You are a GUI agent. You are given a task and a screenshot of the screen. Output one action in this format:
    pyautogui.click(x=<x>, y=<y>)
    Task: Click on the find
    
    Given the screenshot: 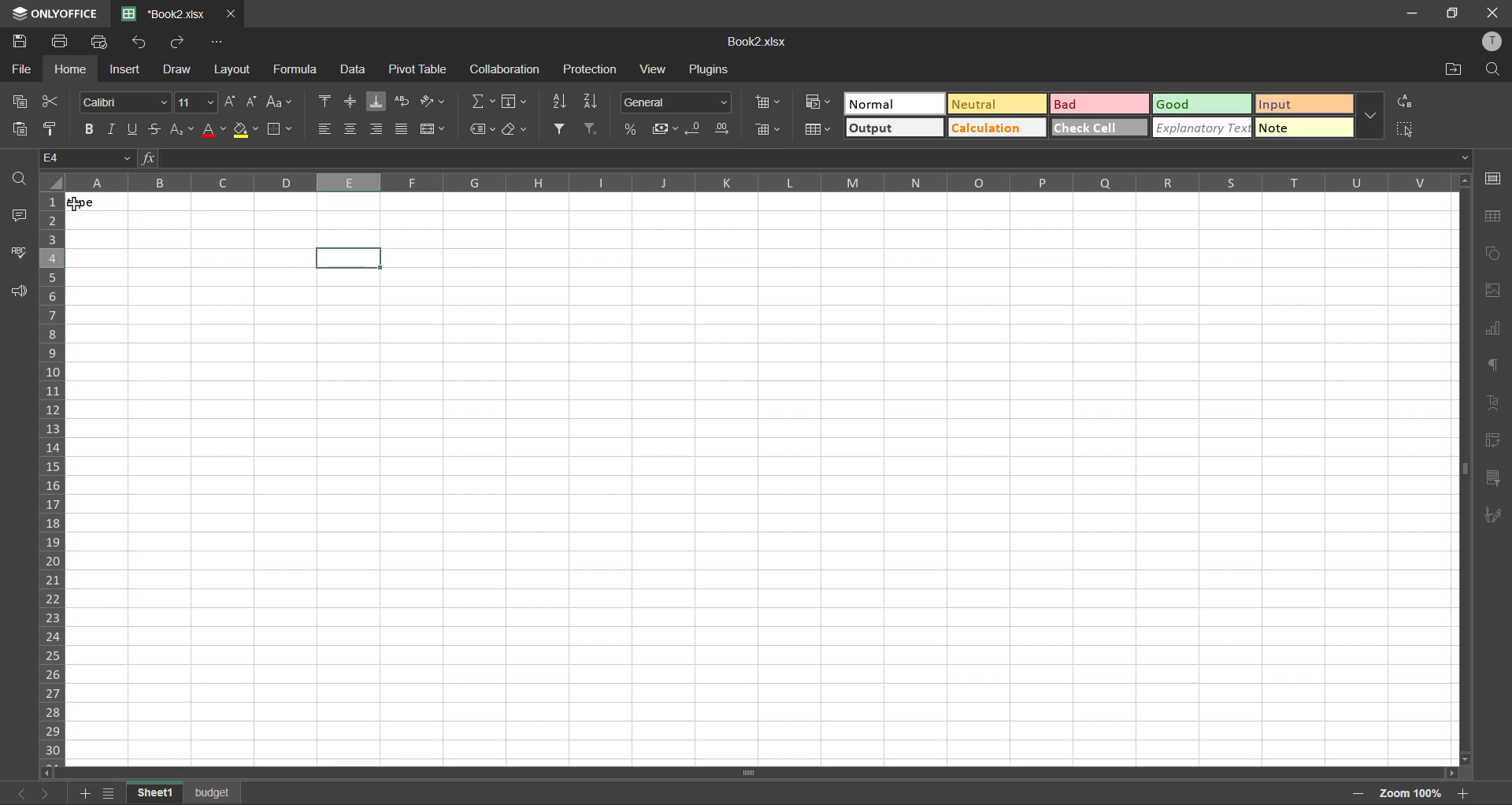 What is the action you would take?
    pyautogui.click(x=1492, y=70)
    